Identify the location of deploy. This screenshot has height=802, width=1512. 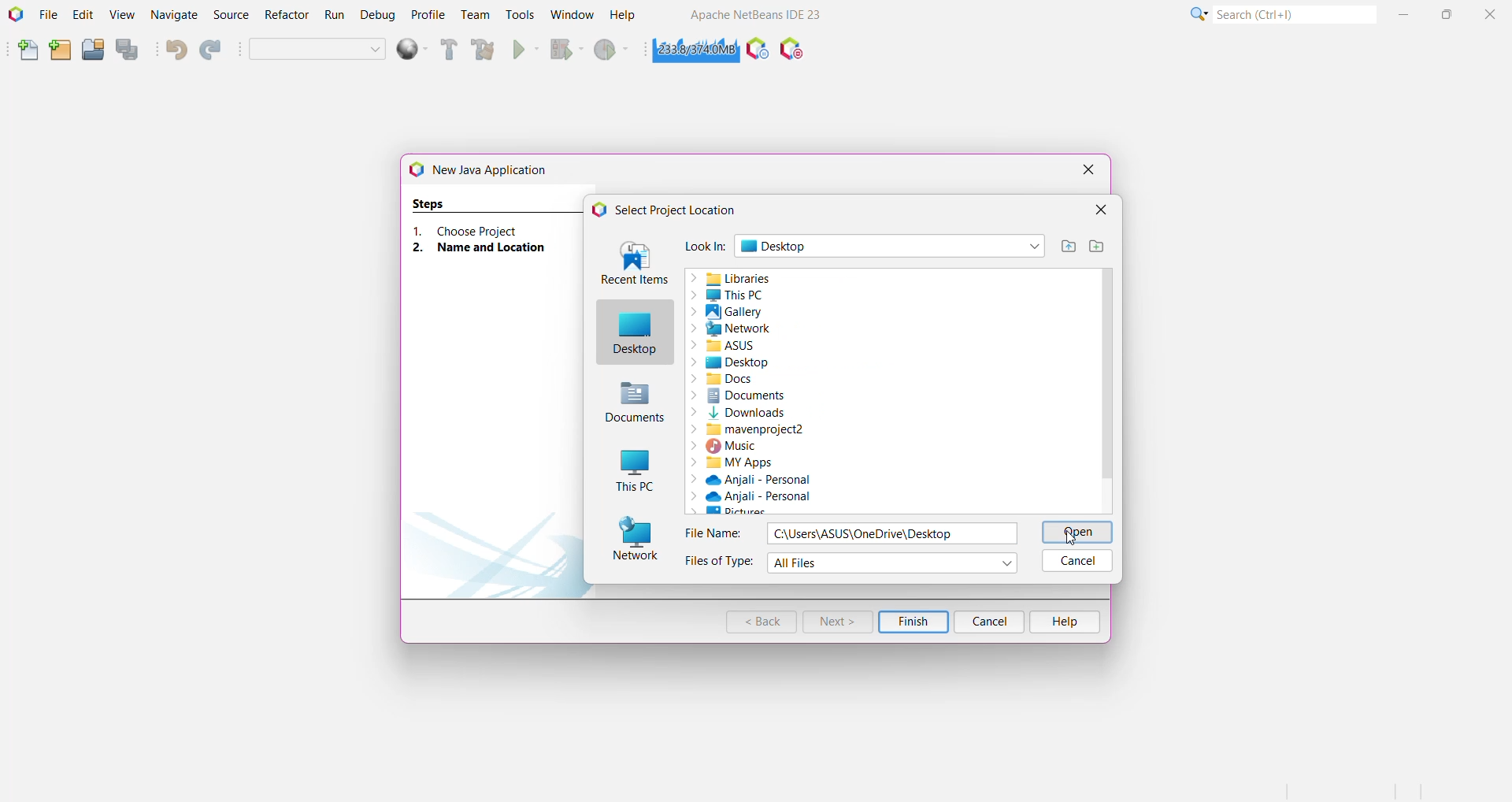
(410, 50).